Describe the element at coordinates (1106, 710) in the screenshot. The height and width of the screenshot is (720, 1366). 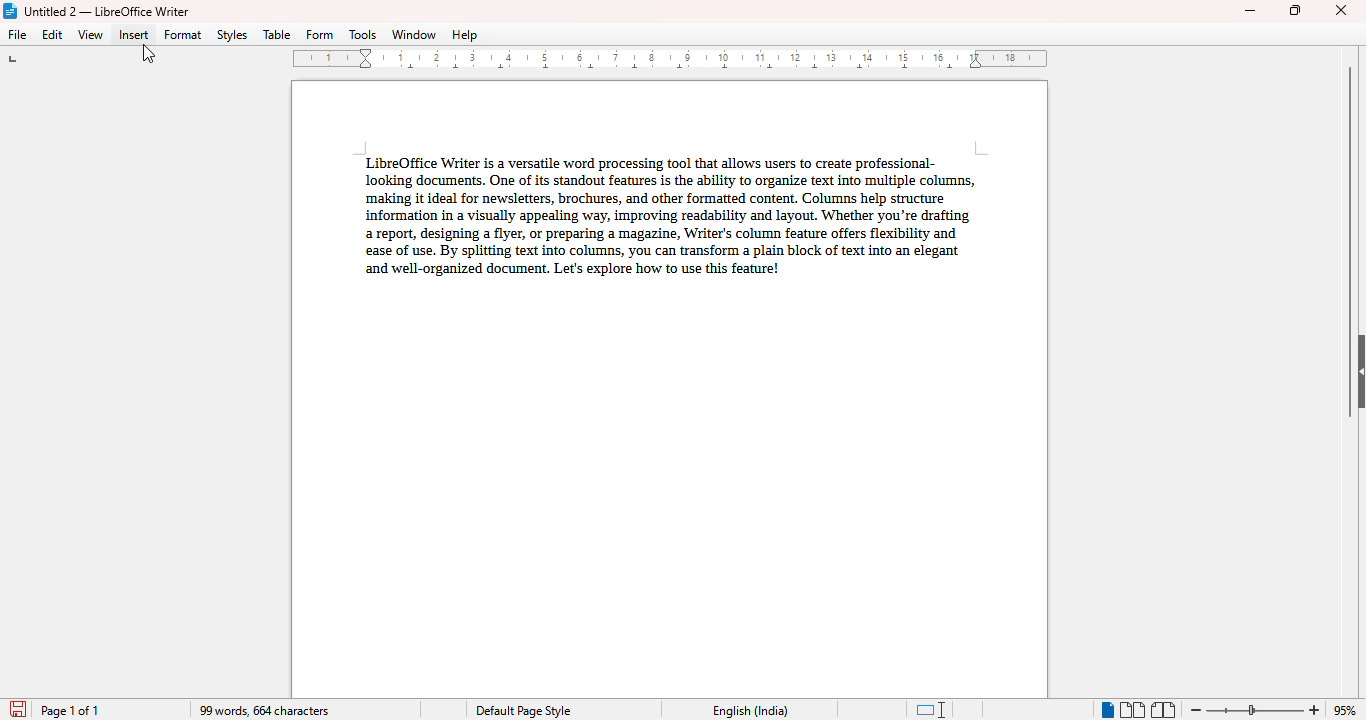
I see `single-page view` at that location.